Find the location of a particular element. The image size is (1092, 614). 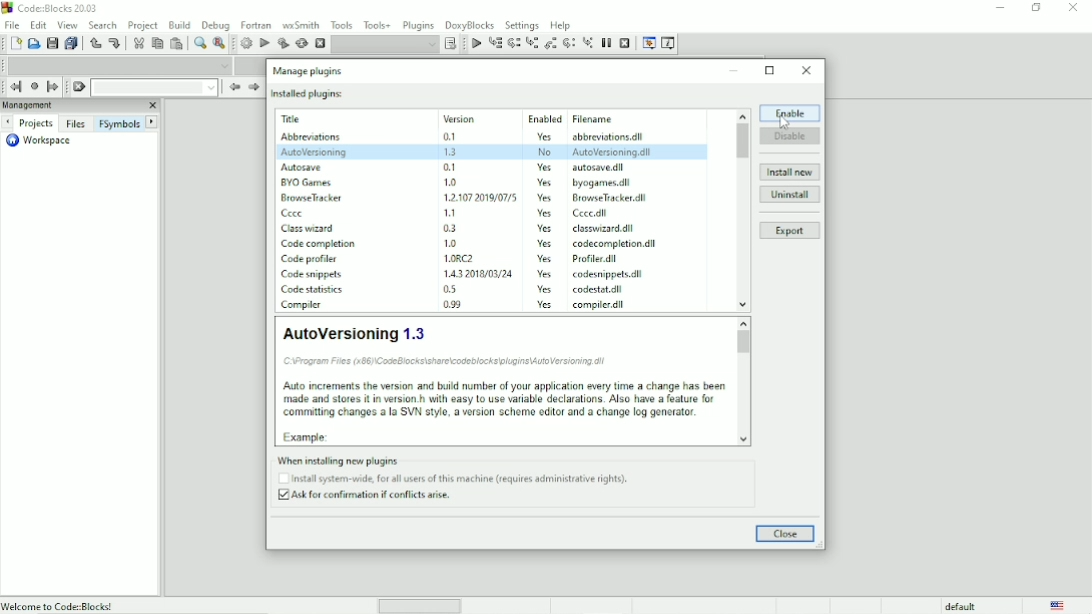

plugin is located at coordinates (311, 197).